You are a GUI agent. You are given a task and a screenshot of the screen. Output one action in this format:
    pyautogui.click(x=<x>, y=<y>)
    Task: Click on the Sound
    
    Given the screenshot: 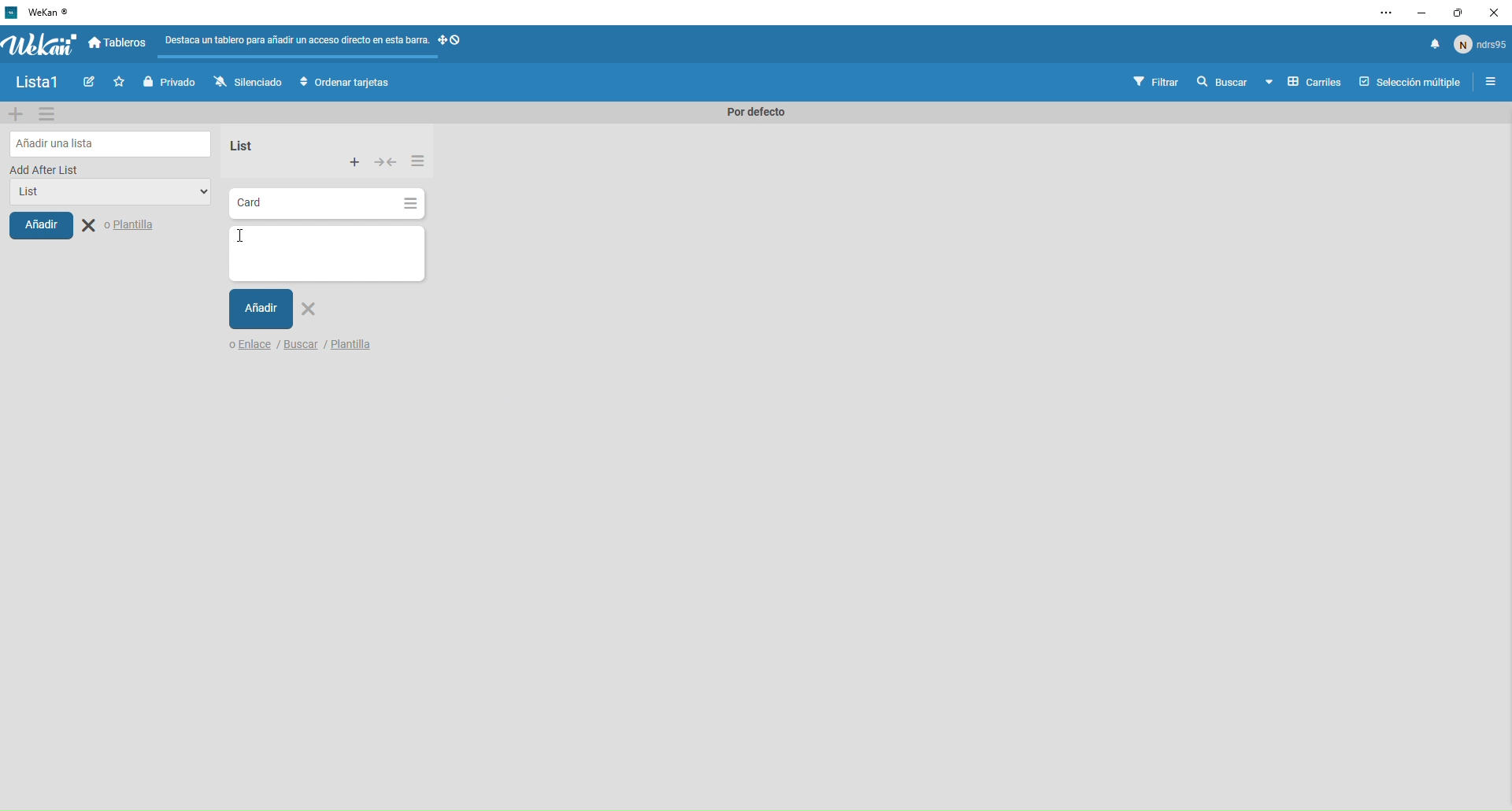 What is the action you would take?
    pyautogui.click(x=1435, y=45)
    